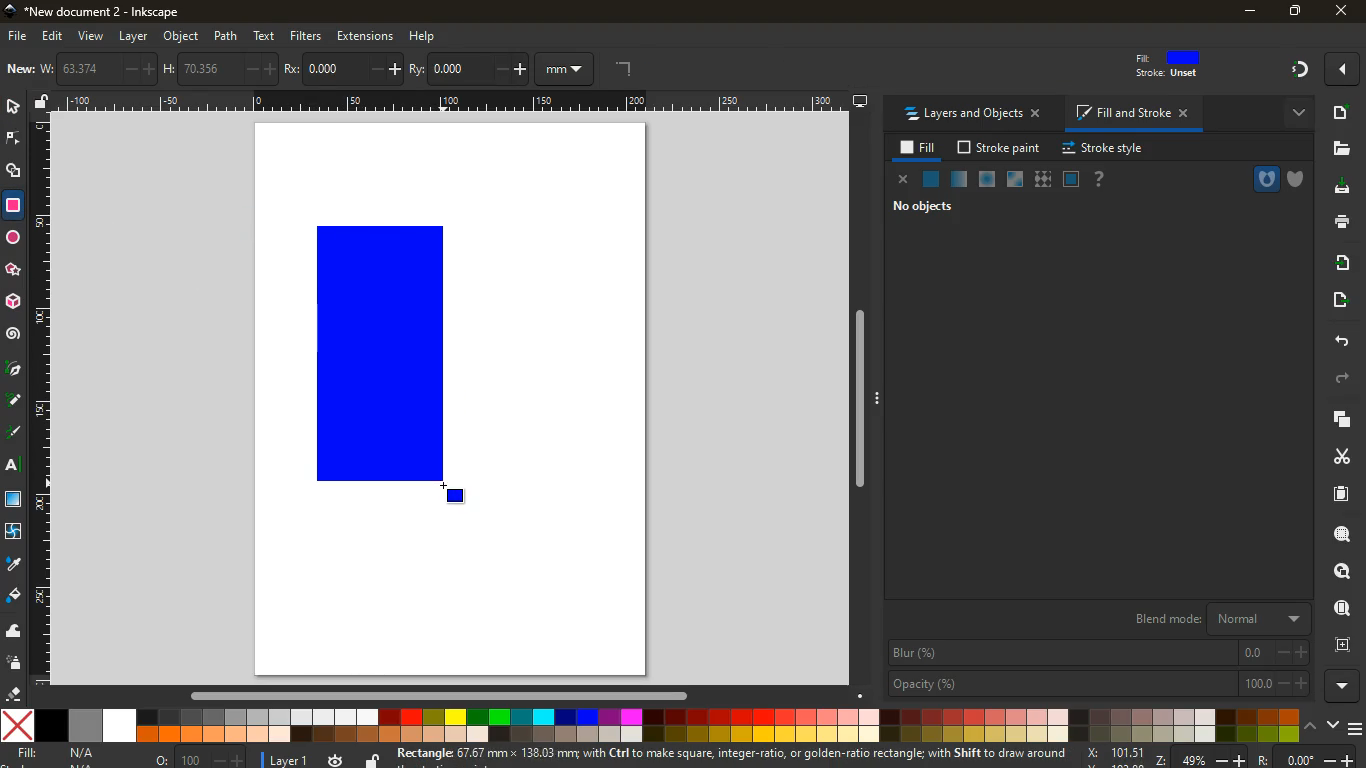  I want to click on , so click(13, 269).